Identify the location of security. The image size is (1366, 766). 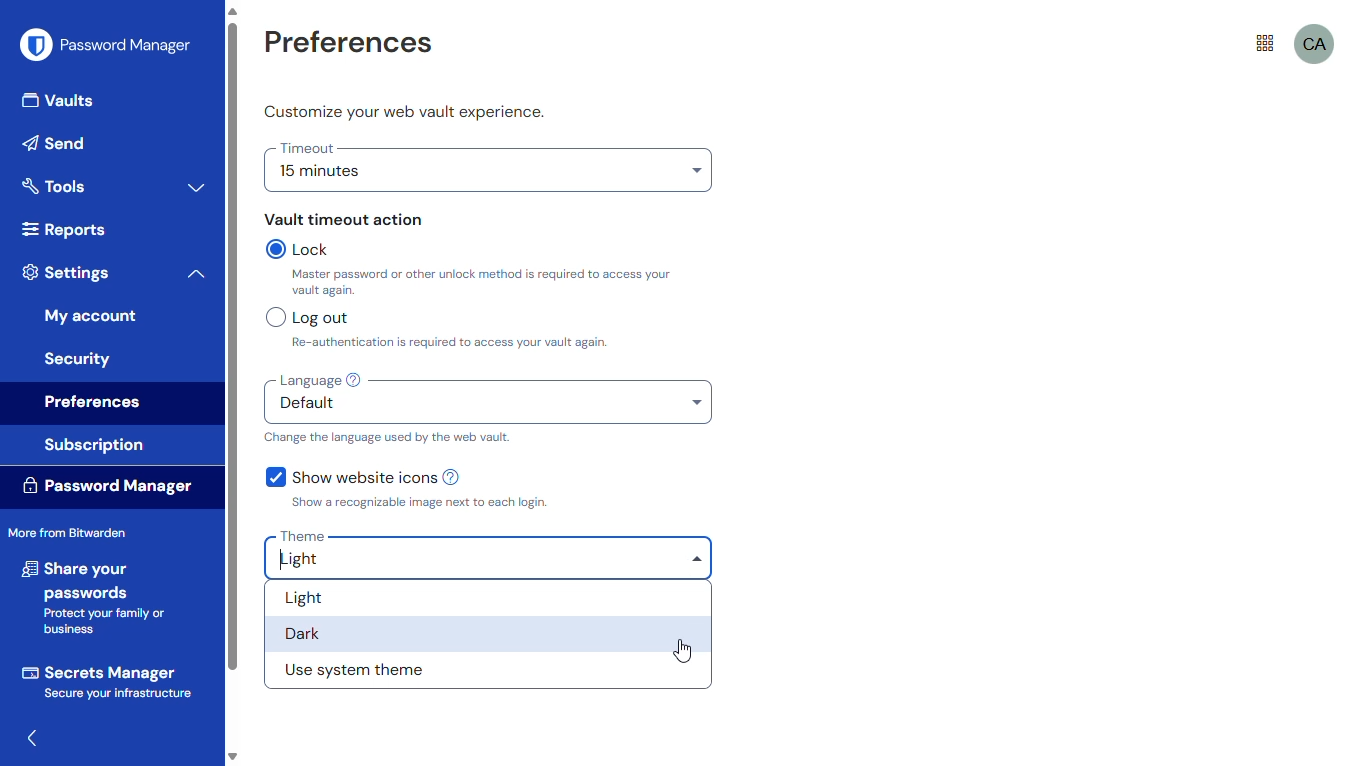
(79, 358).